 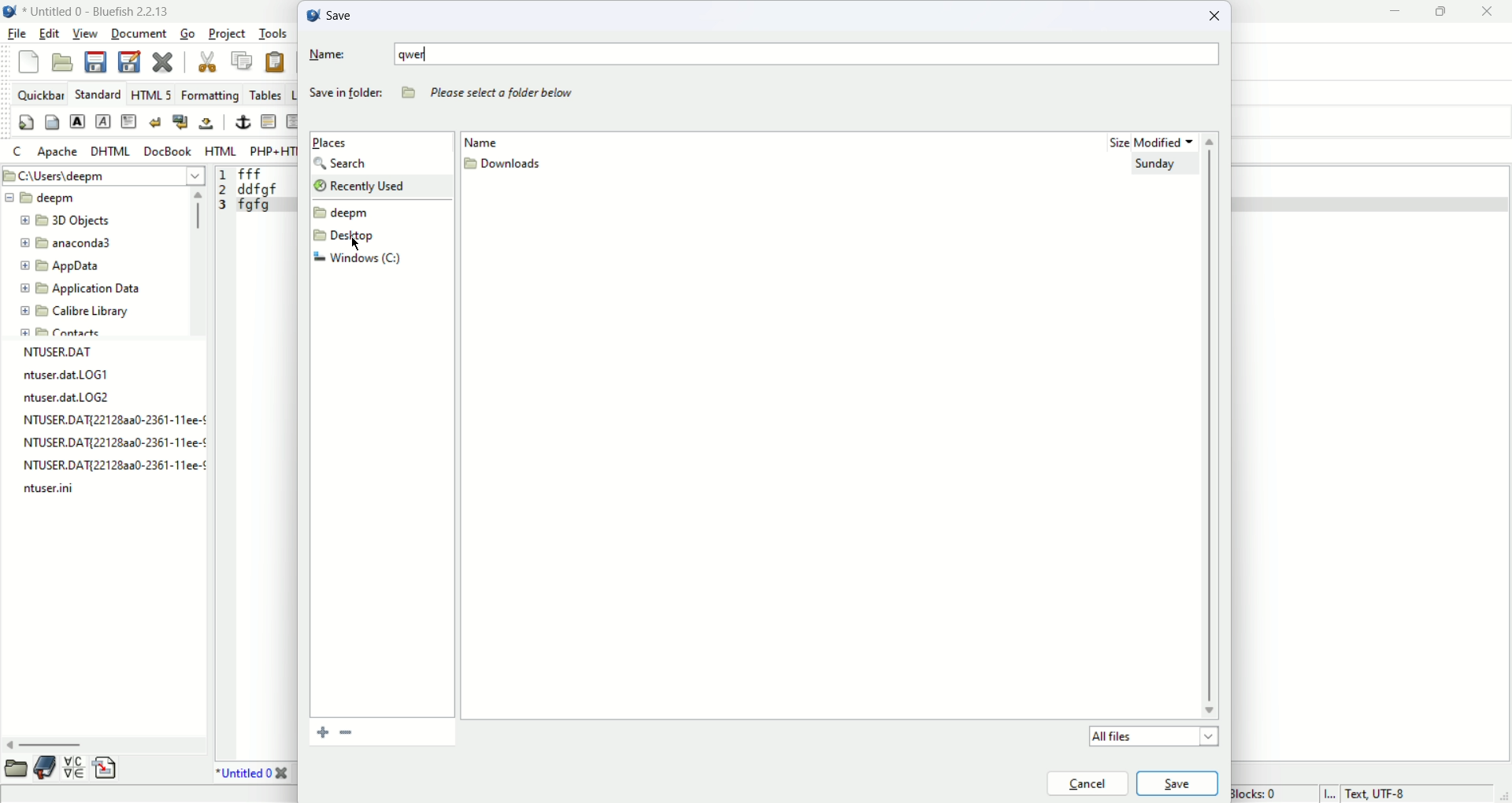 I want to click on close current file, so click(x=165, y=61).